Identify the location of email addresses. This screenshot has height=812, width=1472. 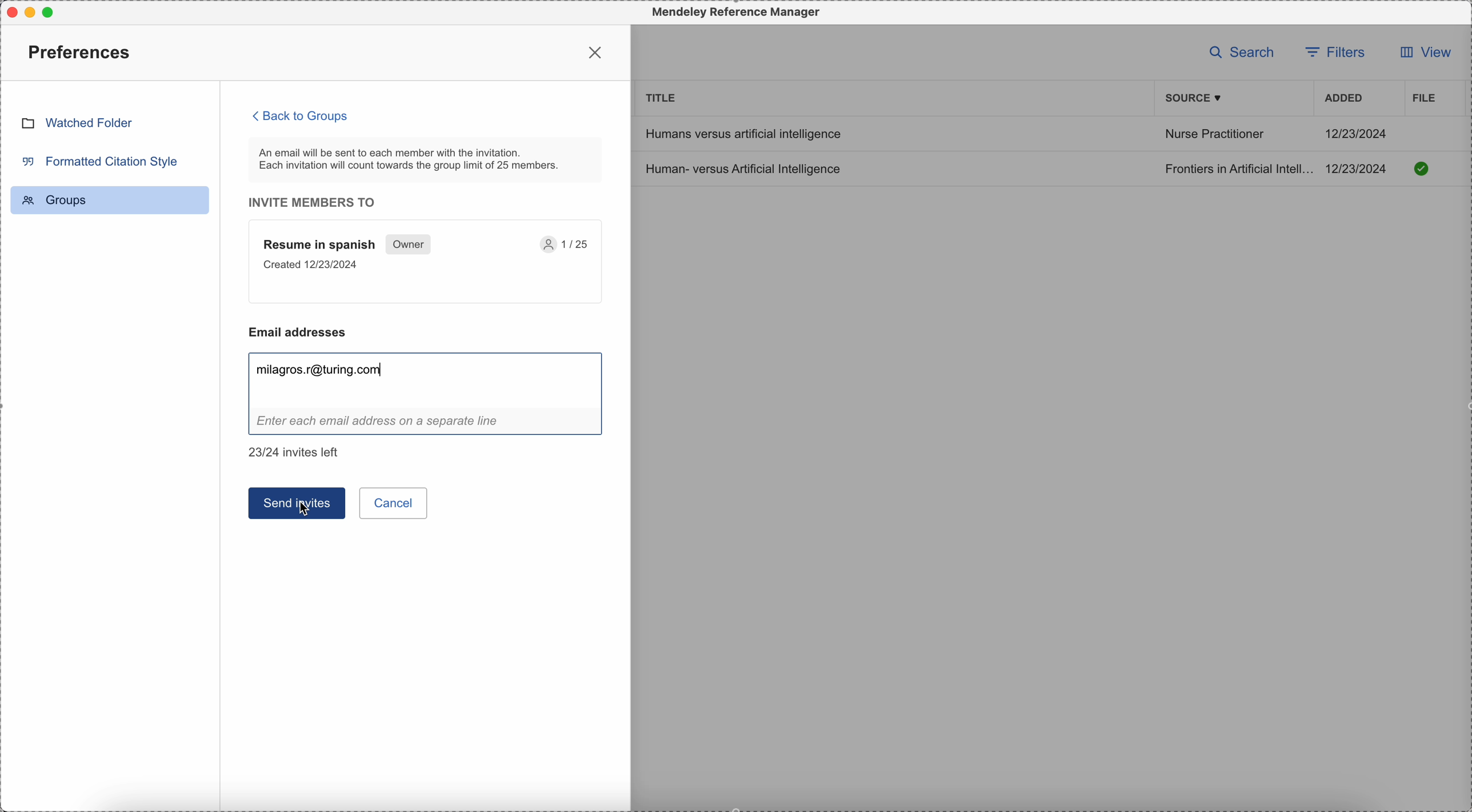
(303, 332).